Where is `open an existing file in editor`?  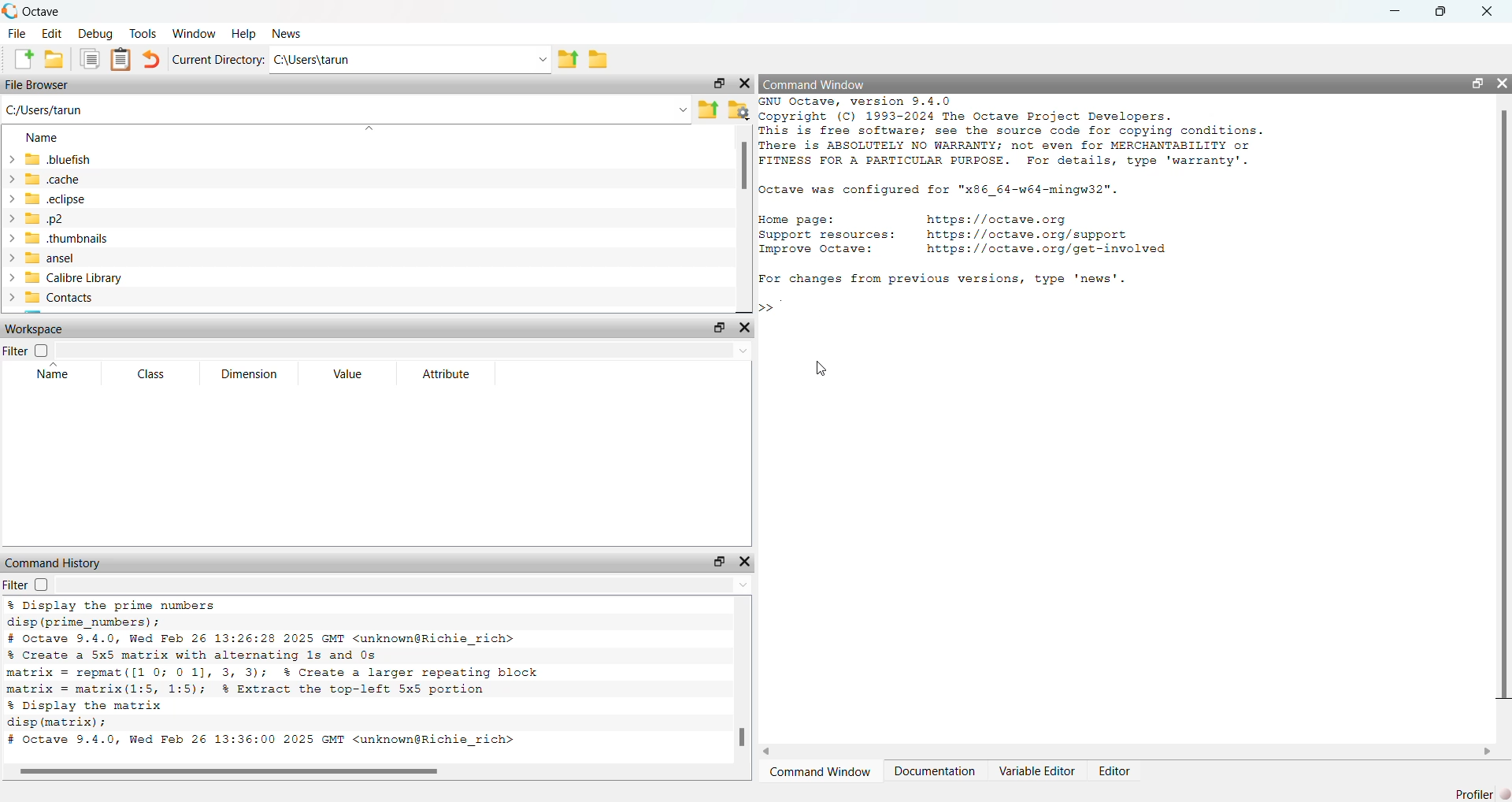 open an existing file in editor is located at coordinates (54, 61).